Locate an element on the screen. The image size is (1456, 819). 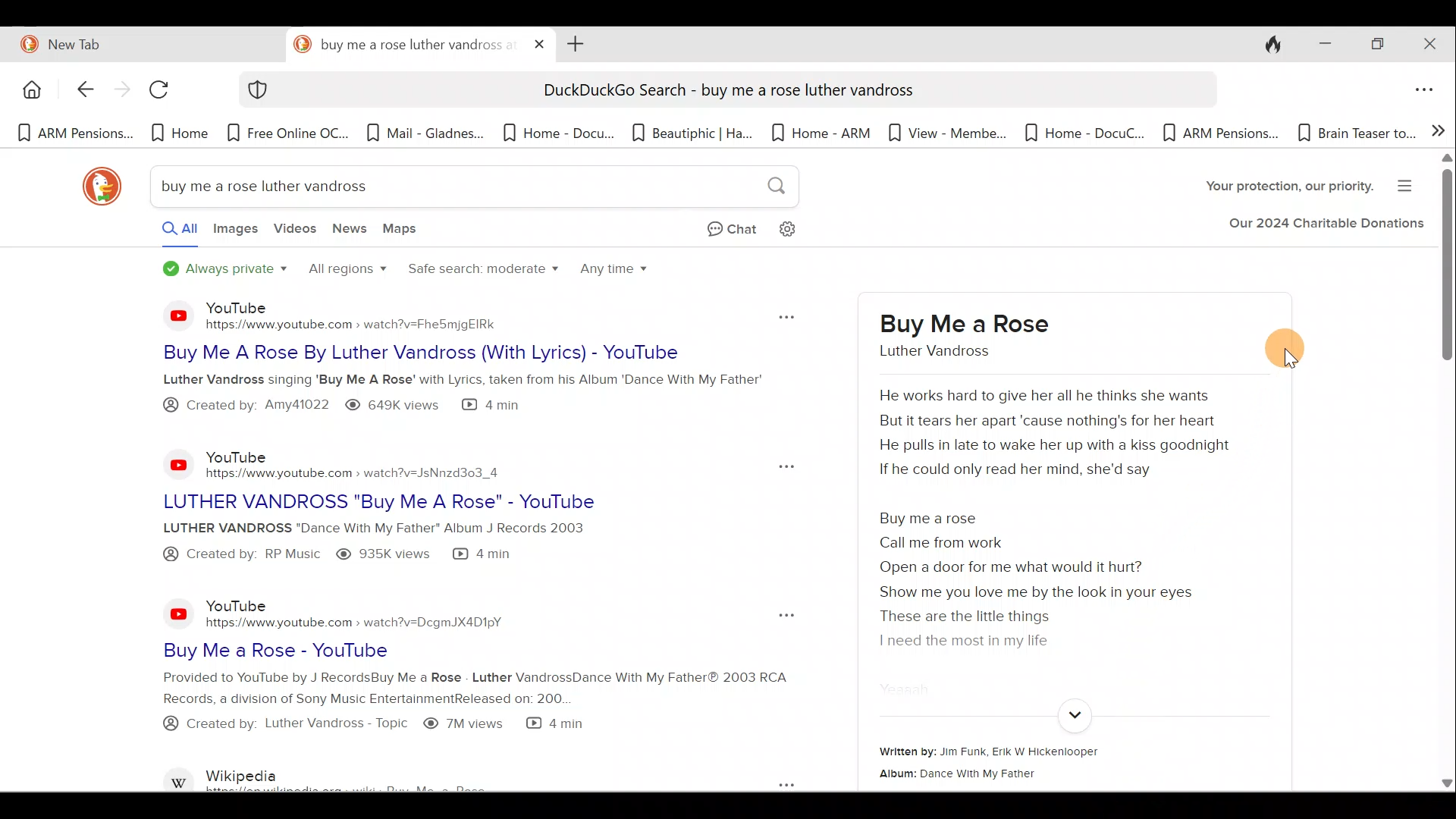
Minimize is located at coordinates (1320, 45).